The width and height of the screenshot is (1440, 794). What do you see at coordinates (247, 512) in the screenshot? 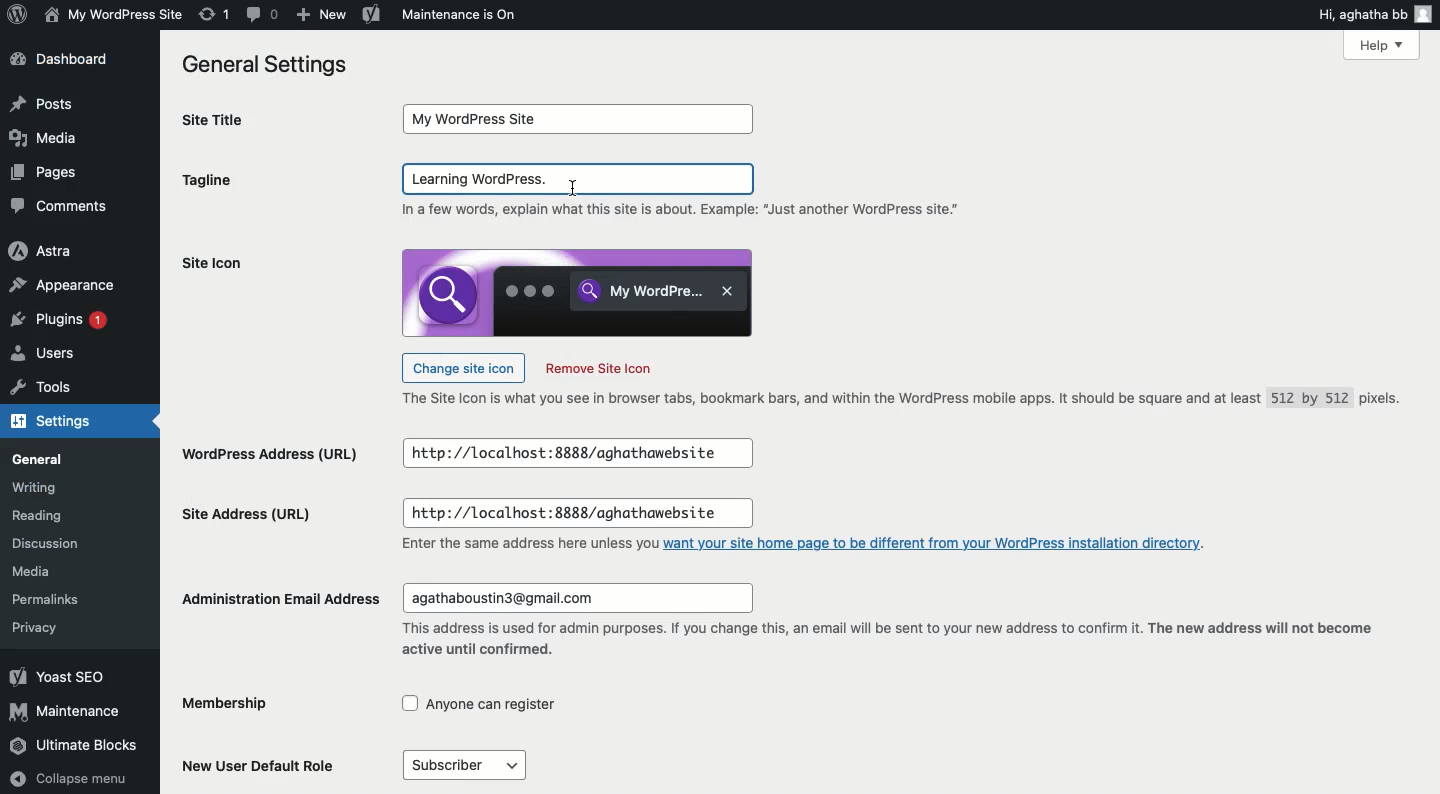
I see `Site address` at bounding box center [247, 512].